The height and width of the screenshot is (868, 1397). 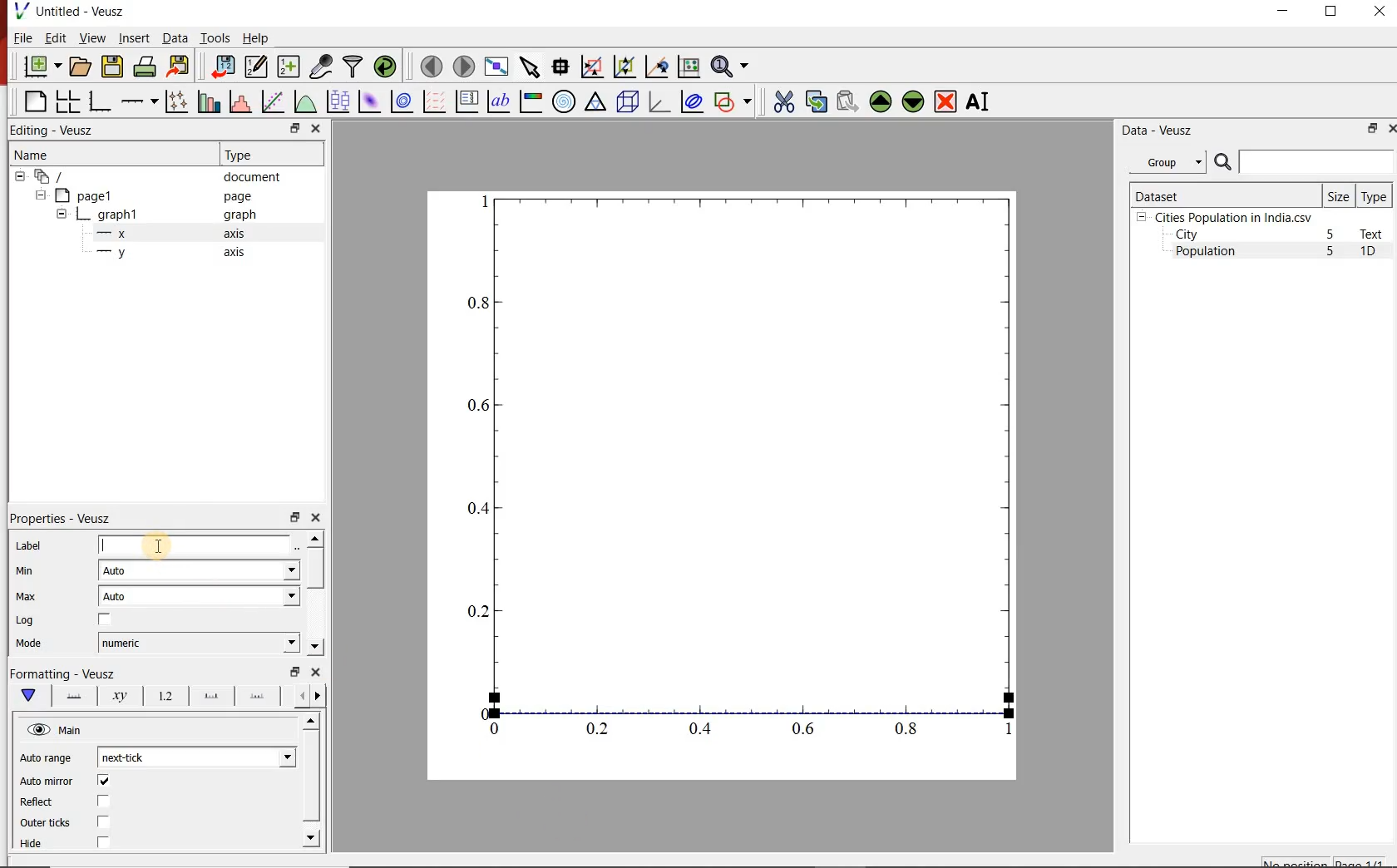 What do you see at coordinates (272, 101) in the screenshot?
I see `fit a function to data` at bounding box center [272, 101].